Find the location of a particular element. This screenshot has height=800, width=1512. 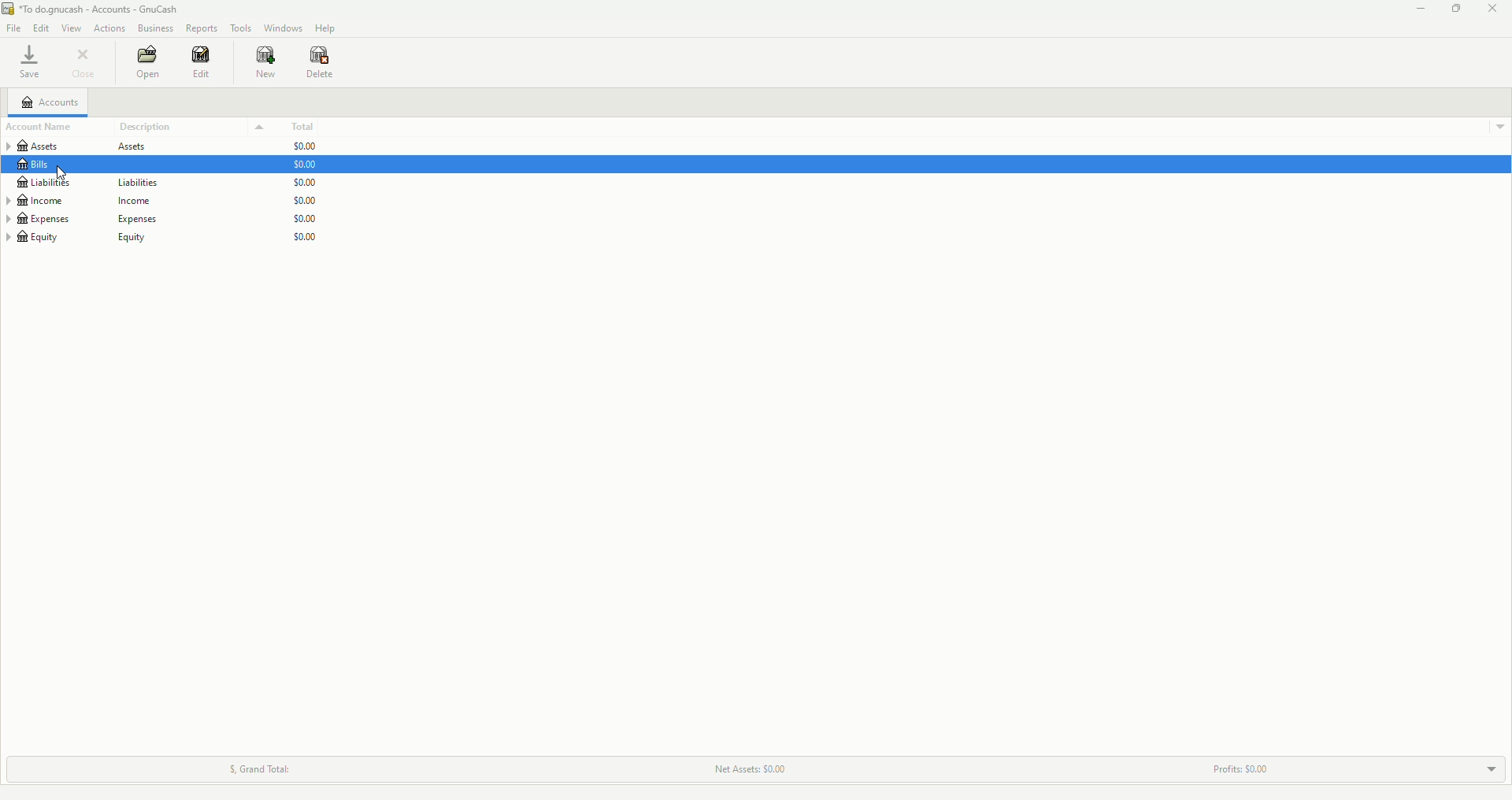

Business is located at coordinates (156, 28).